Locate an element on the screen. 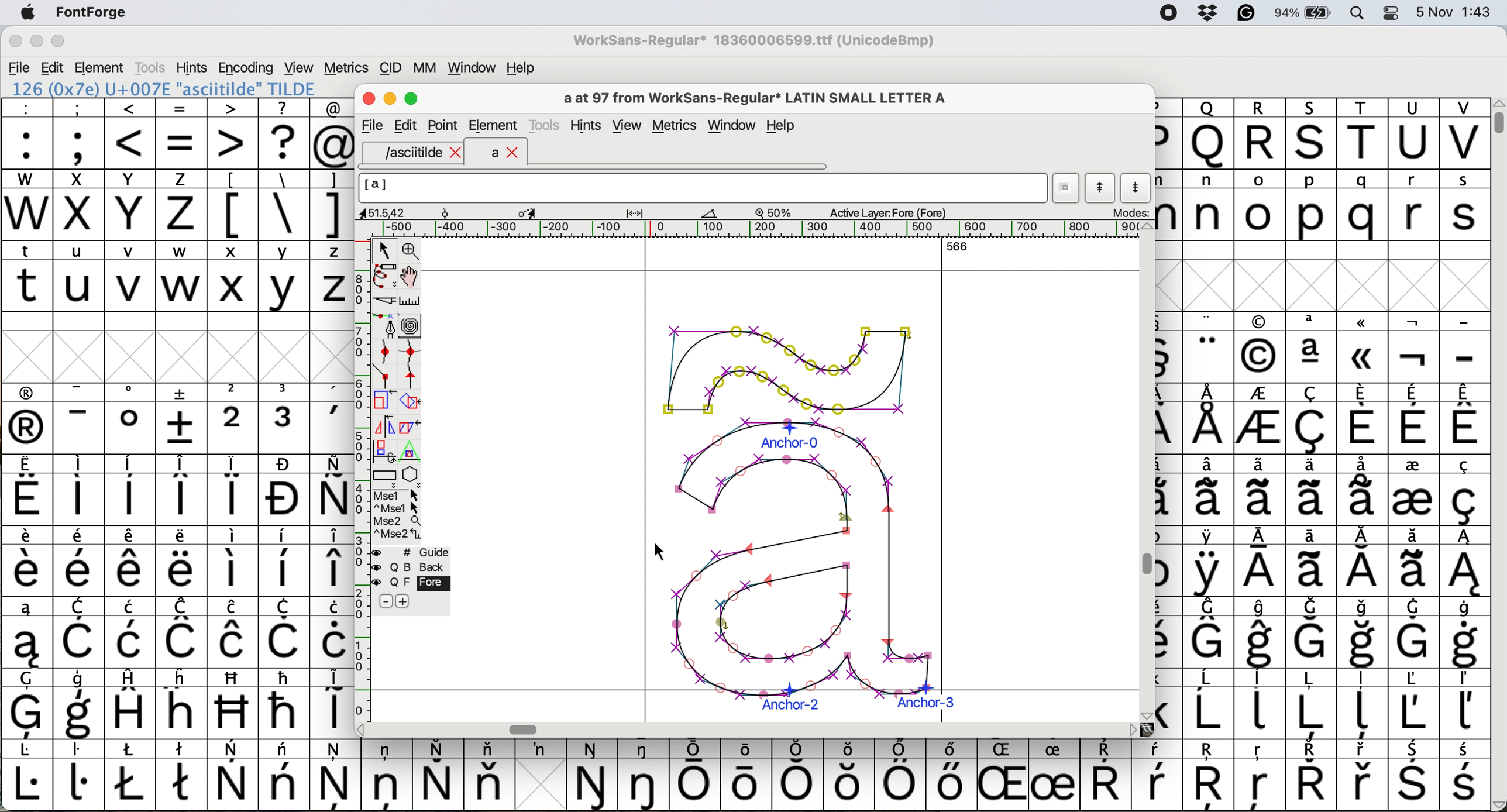 The image size is (1507, 812). hints is located at coordinates (192, 67).